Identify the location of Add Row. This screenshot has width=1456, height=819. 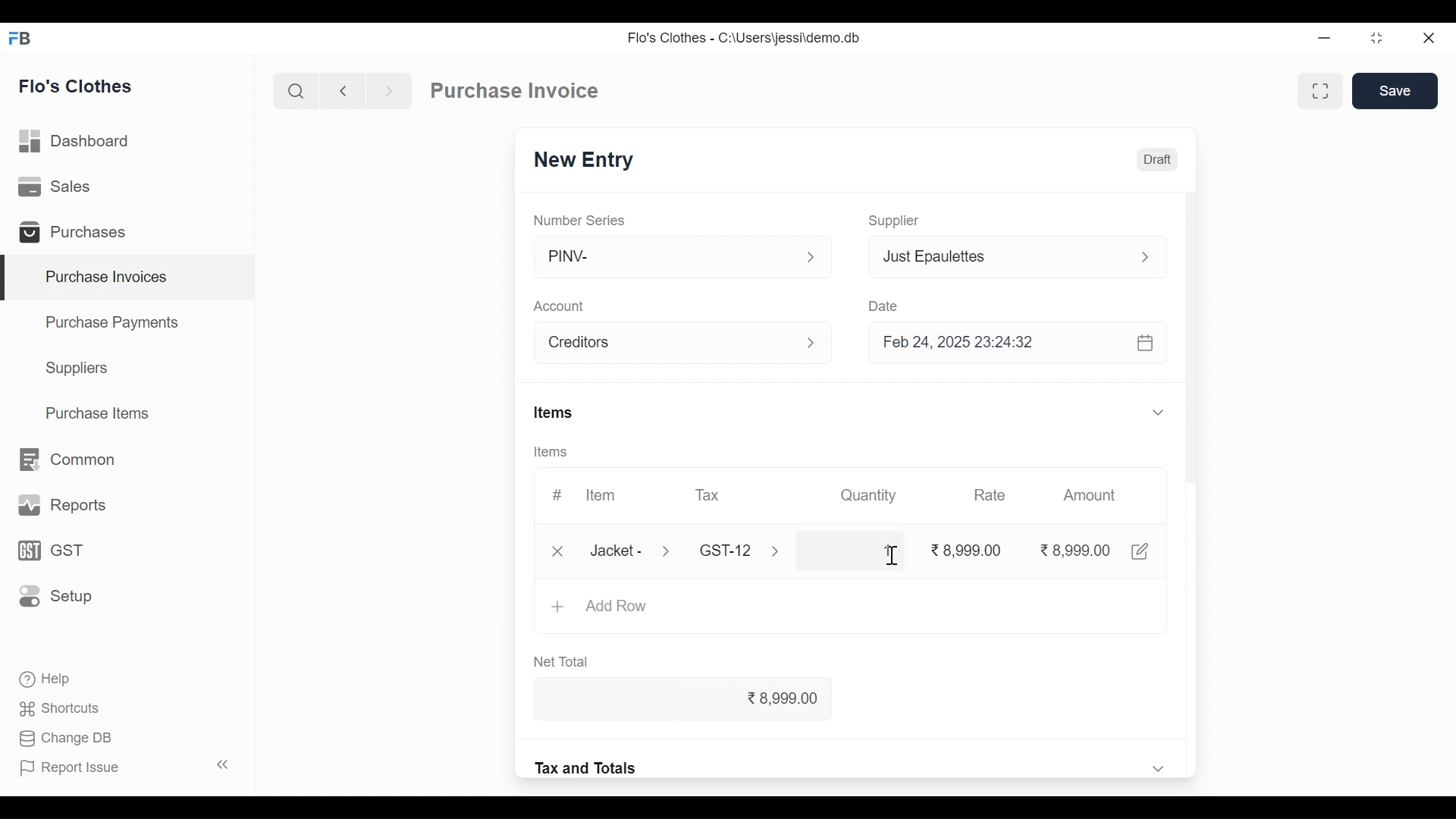
(620, 607).